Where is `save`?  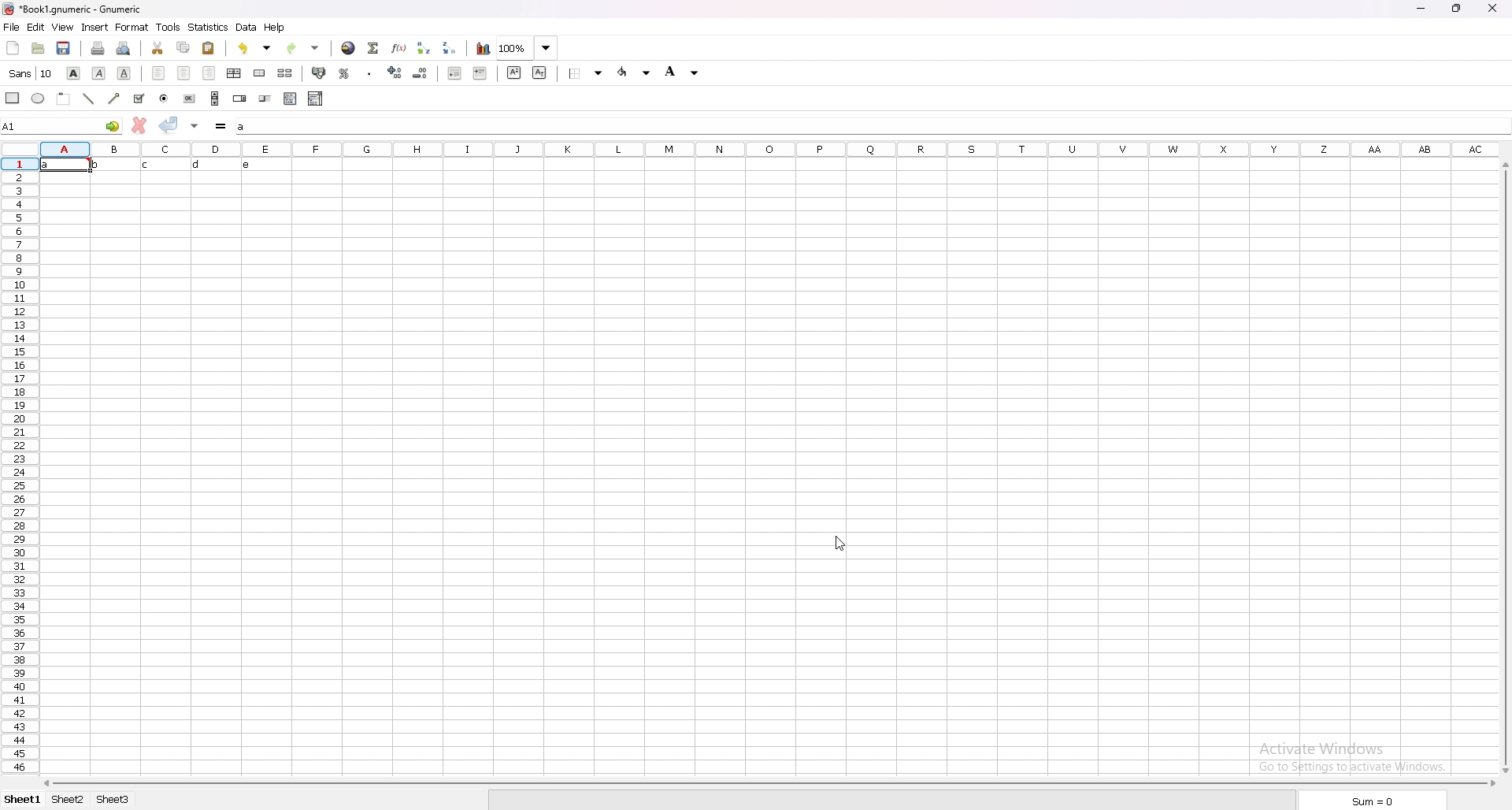 save is located at coordinates (65, 48).